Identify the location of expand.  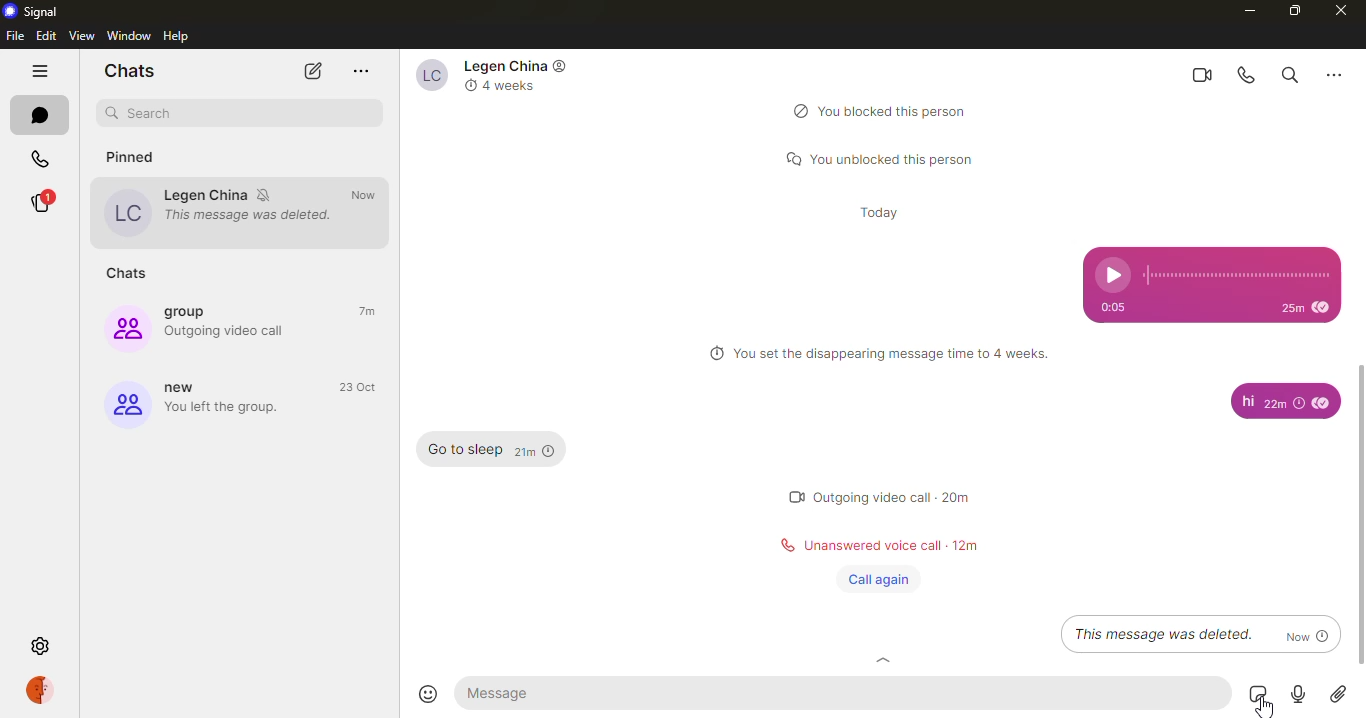
(883, 661).